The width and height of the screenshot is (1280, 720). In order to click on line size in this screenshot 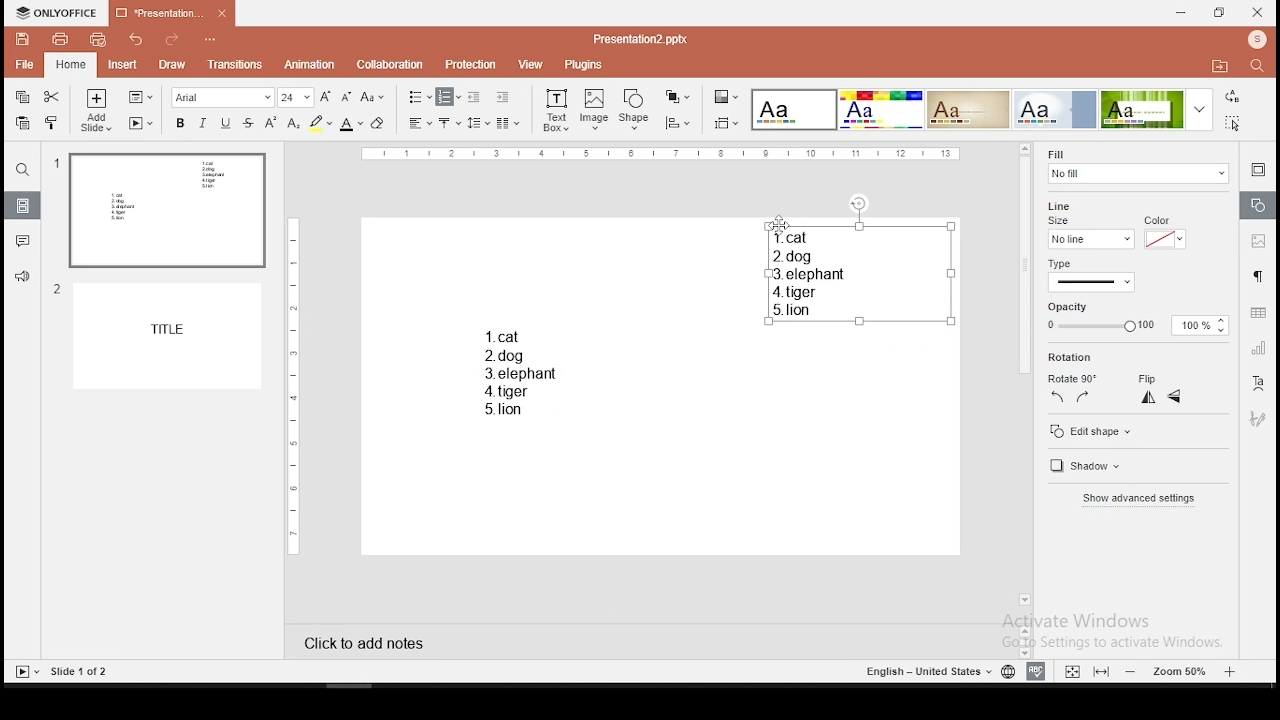, I will do `click(1064, 212)`.